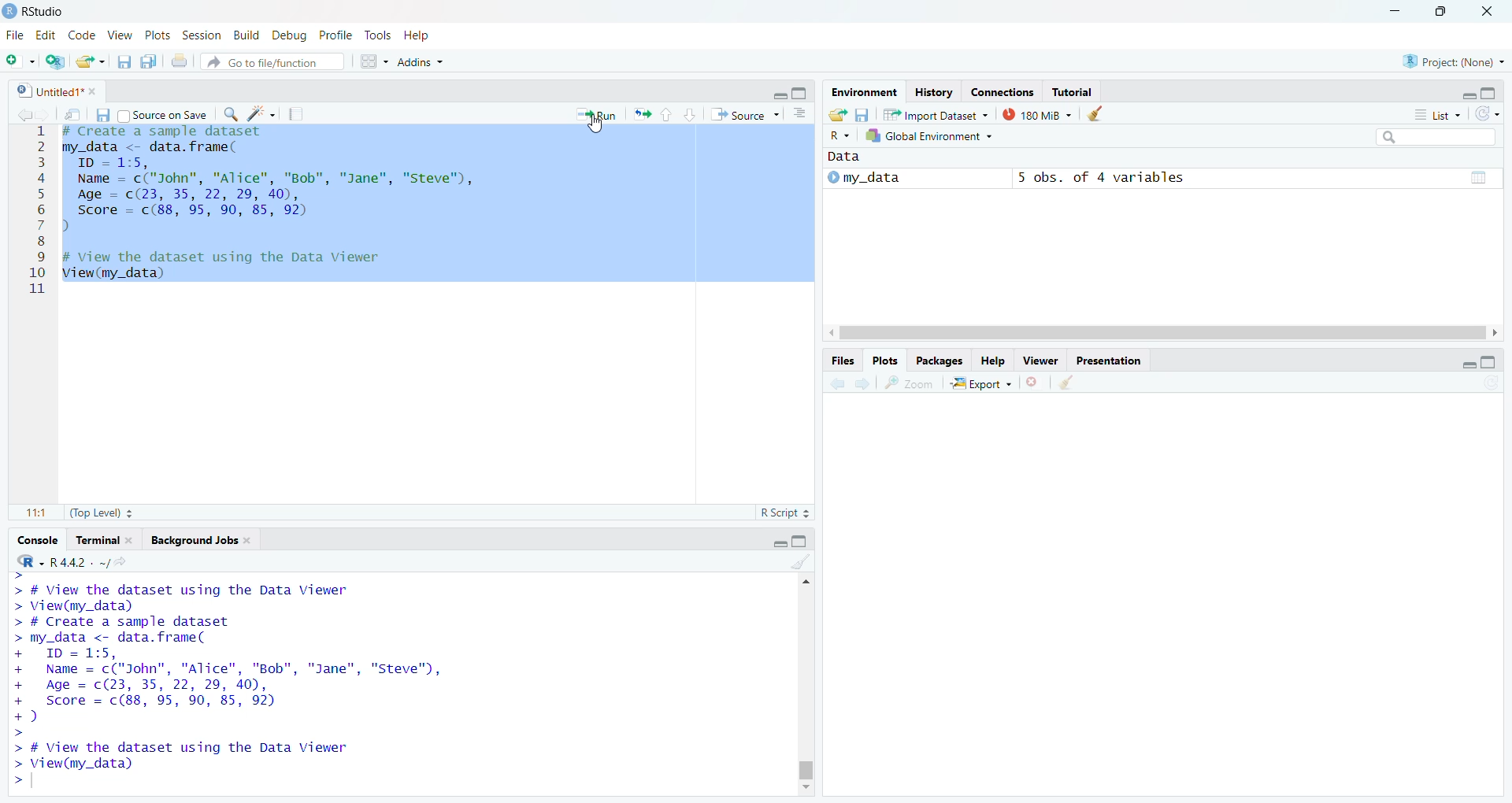  Describe the element at coordinates (53, 59) in the screenshot. I see `Create a Project` at that location.